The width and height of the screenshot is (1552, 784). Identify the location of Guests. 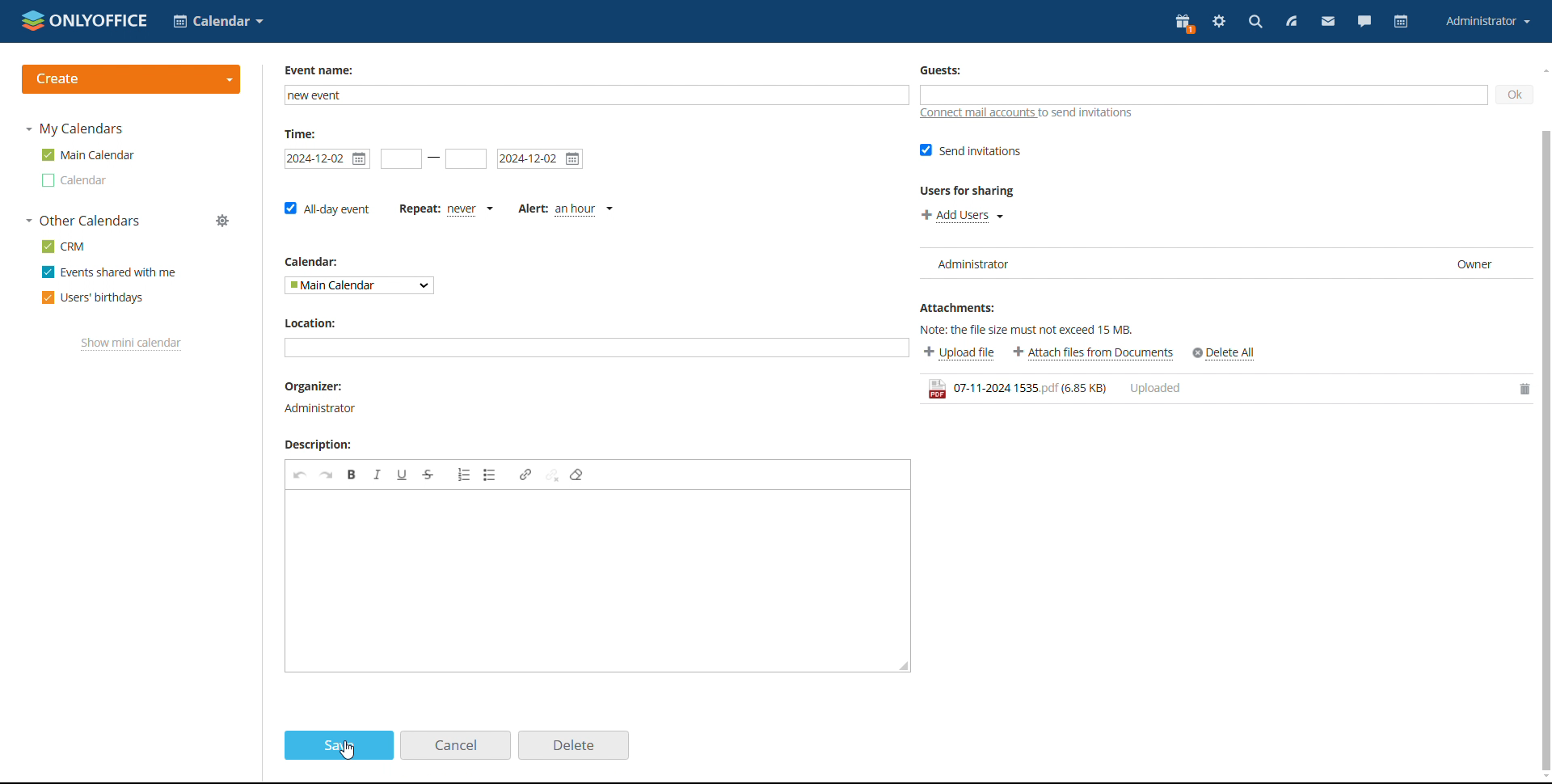
(947, 71).